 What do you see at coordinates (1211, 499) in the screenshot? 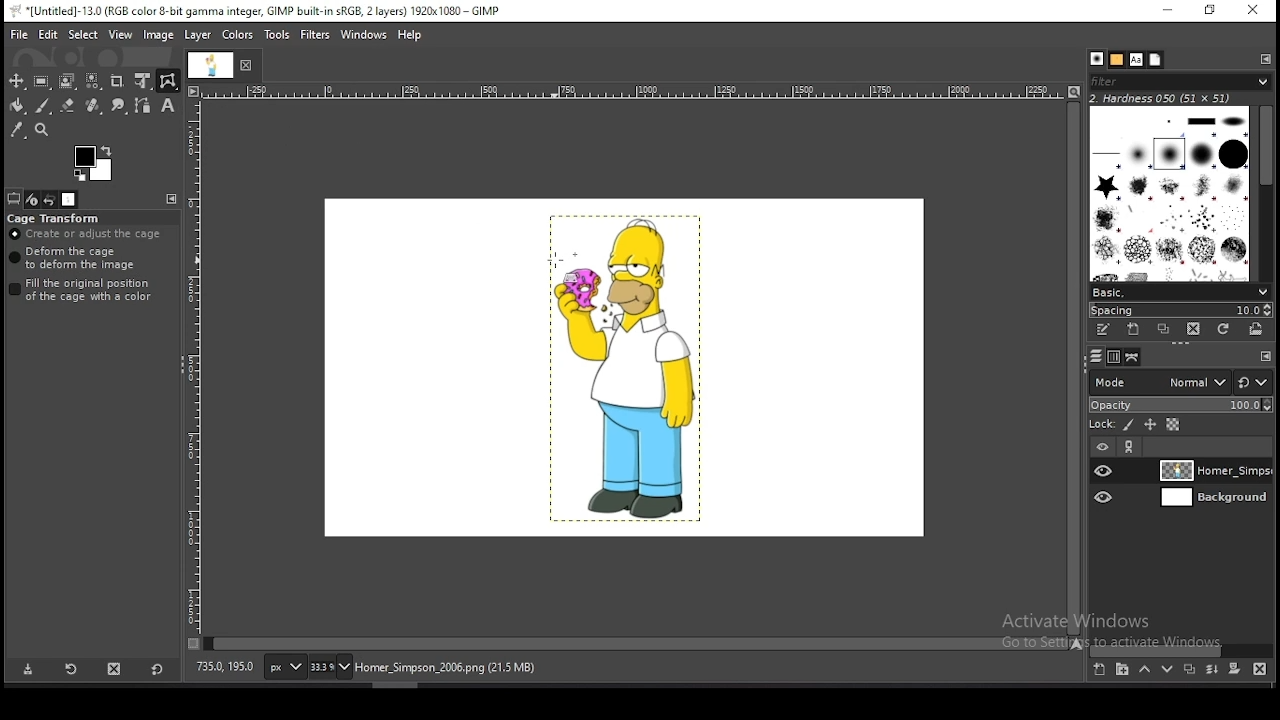
I see `layer` at bounding box center [1211, 499].